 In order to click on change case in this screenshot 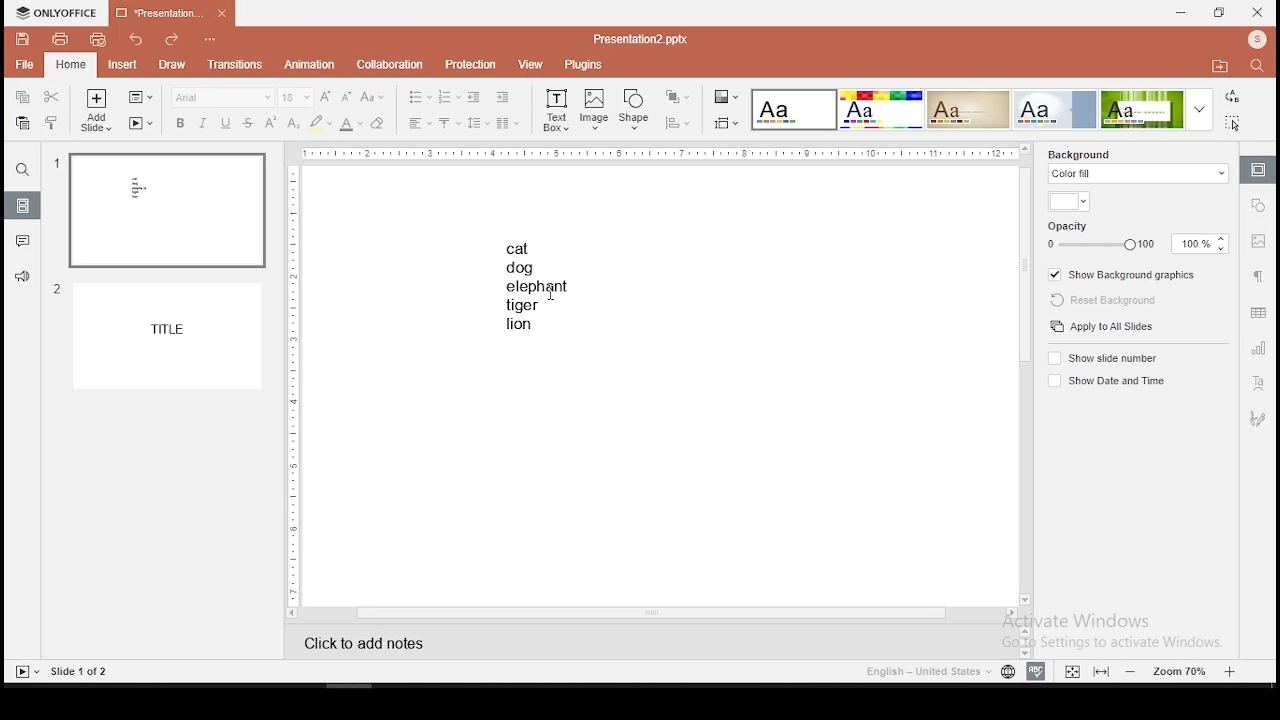, I will do `click(373, 97)`.